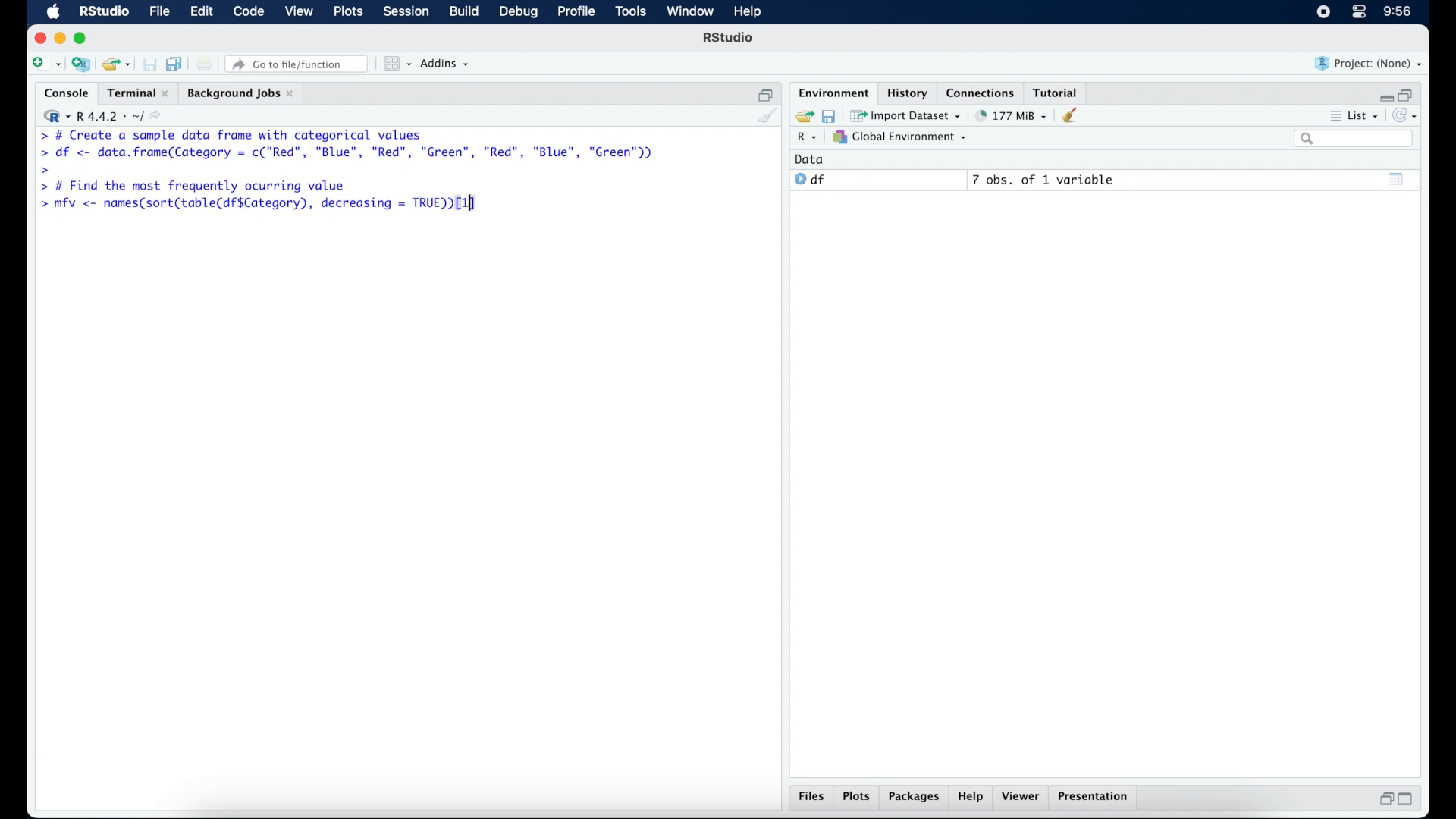 The width and height of the screenshot is (1456, 819). Describe the element at coordinates (1407, 801) in the screenshot. I see `maximize` at that location.